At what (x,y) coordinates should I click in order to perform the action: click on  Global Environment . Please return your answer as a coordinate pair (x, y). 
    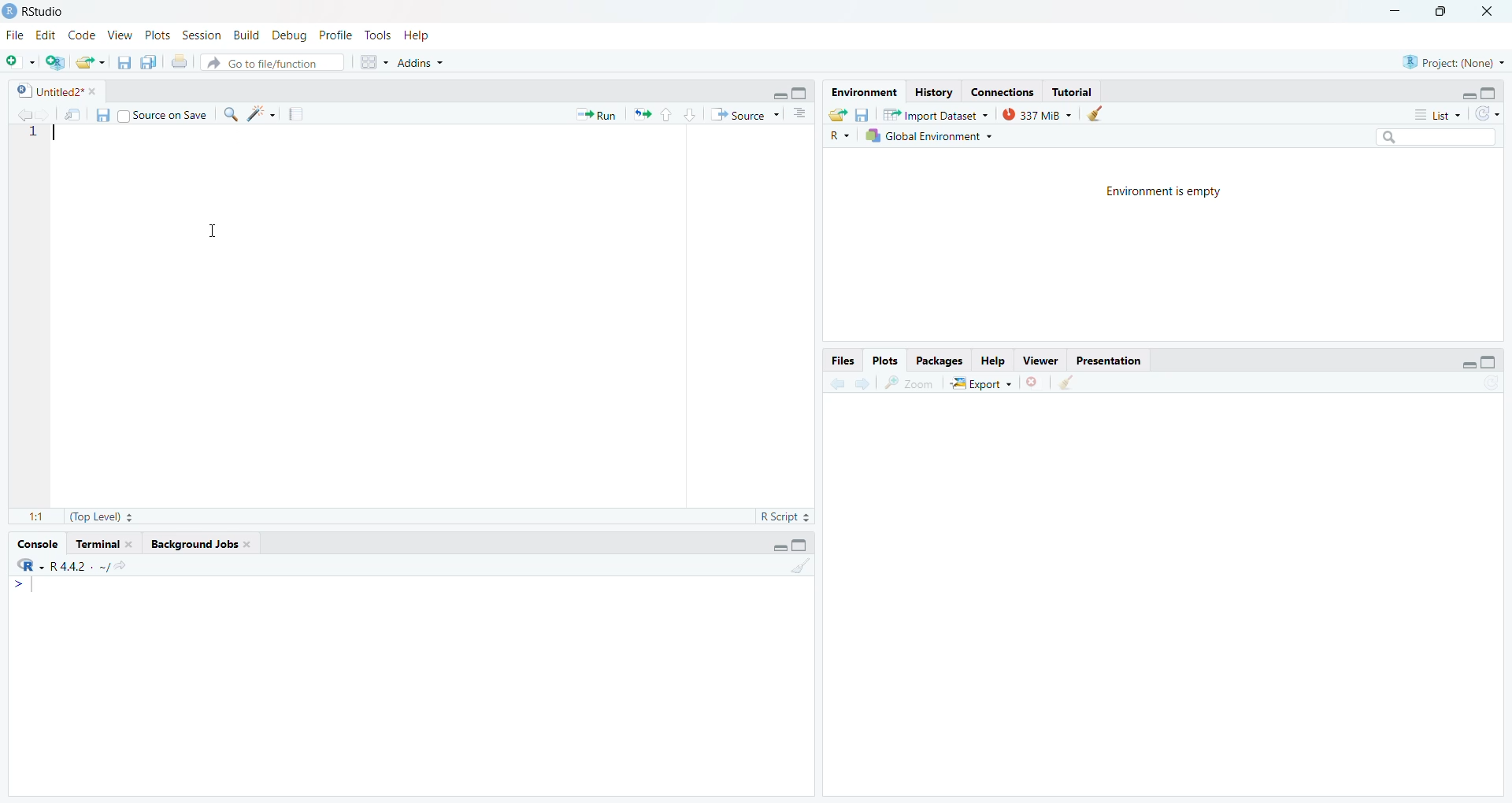
    Looking at the image, I should click on (929, 136).